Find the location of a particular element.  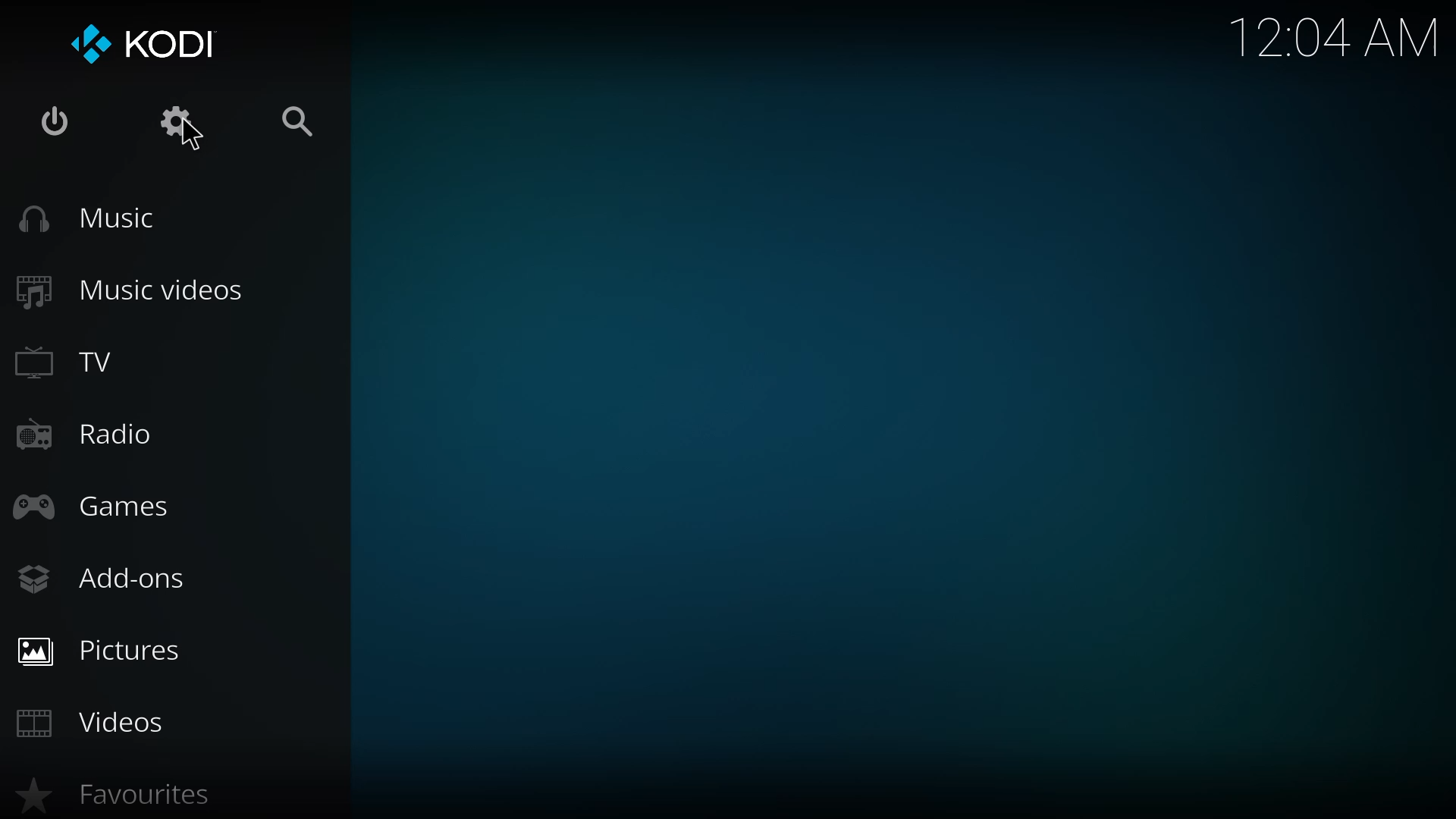

time is located at coordinates (1335, 36).